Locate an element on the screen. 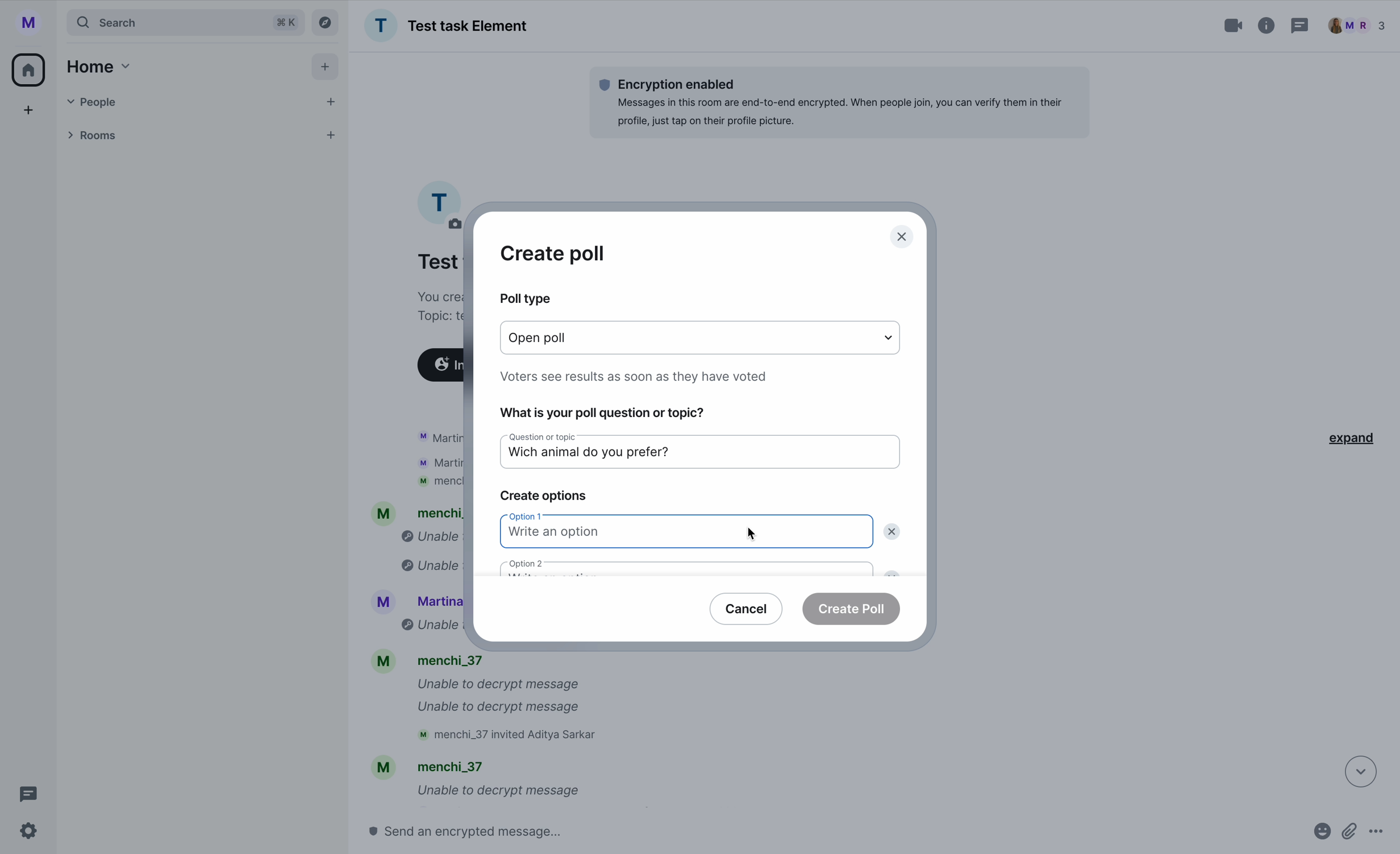 This screenshot has height=854, width=1400. add is located at coordinates (327, 69).